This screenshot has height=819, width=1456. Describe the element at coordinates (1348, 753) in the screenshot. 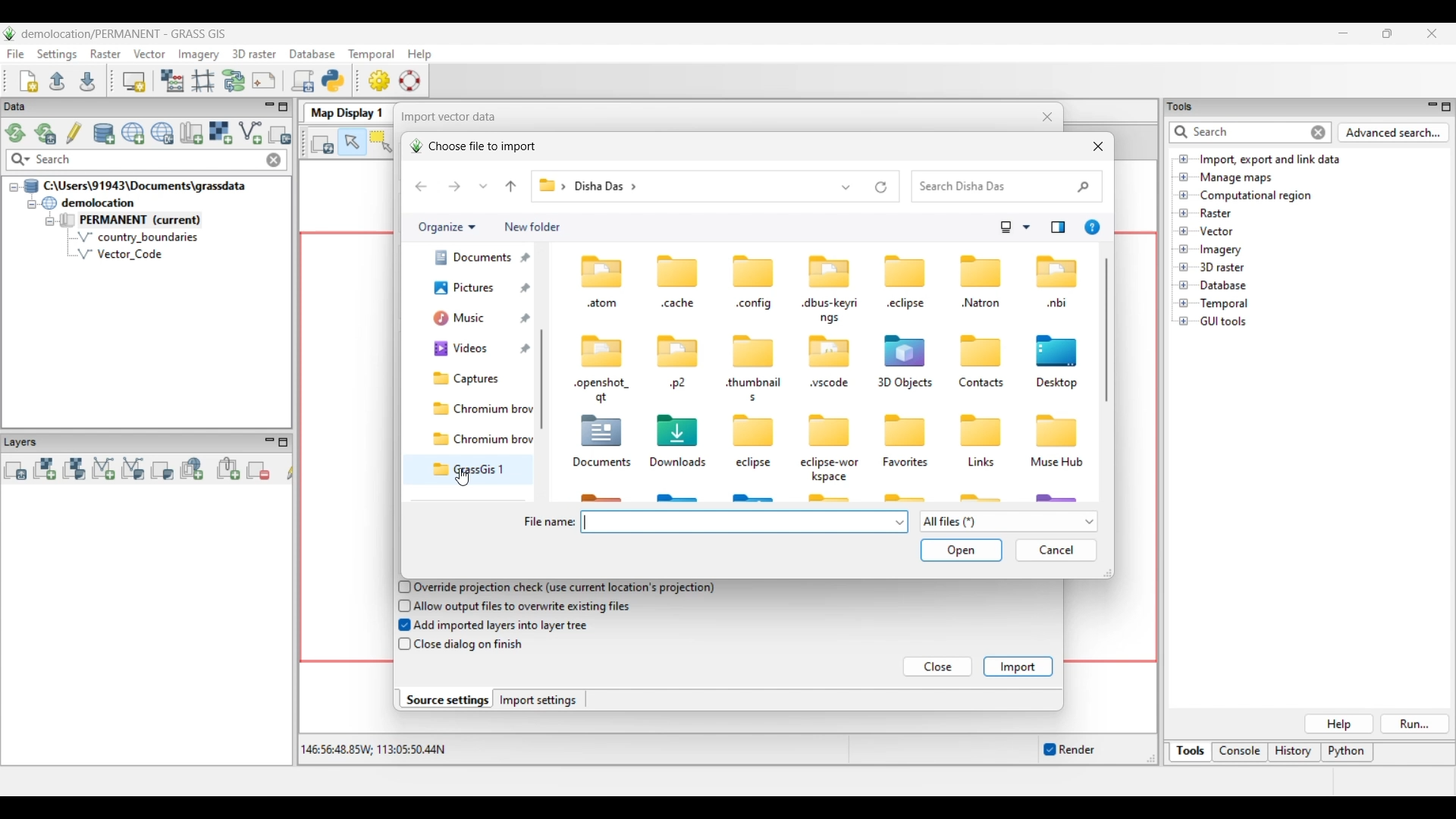

I see `Python` at that location.